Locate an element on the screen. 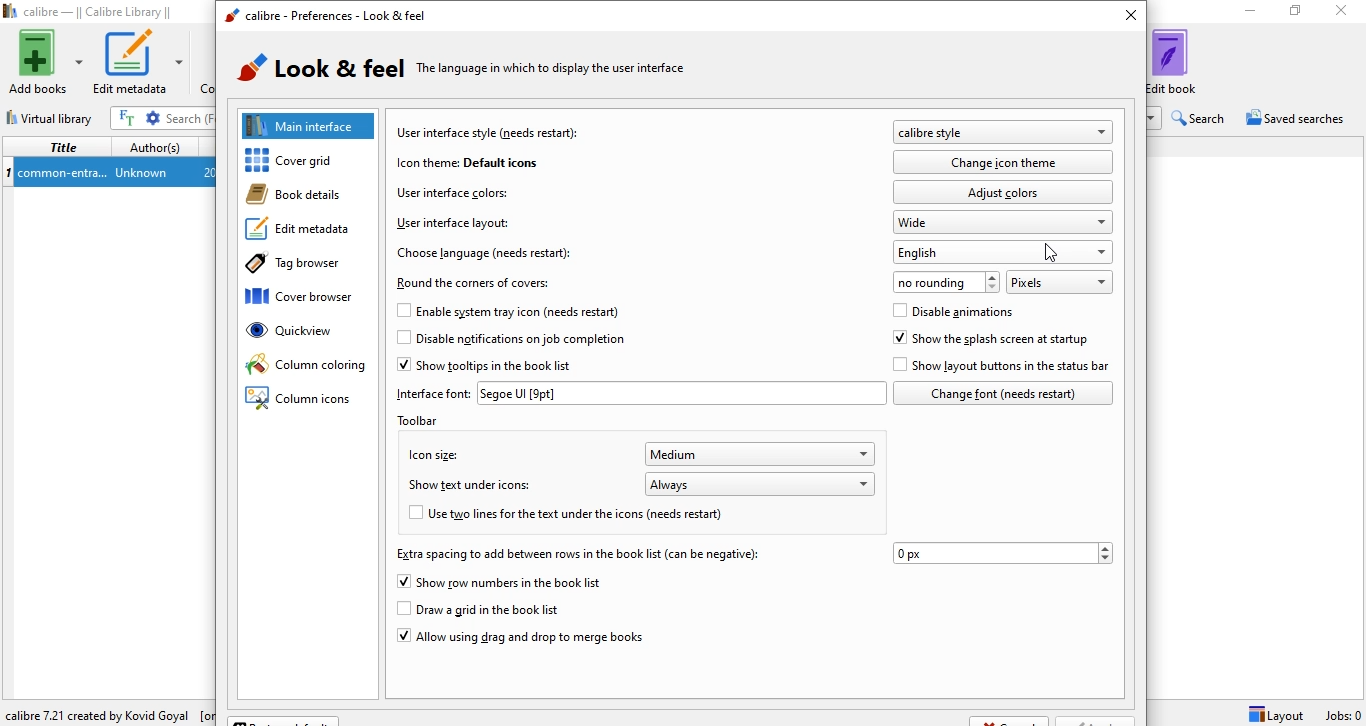 This screenshot has height=726, width=1366. adjust colors is located at coordinates (1003, 191).